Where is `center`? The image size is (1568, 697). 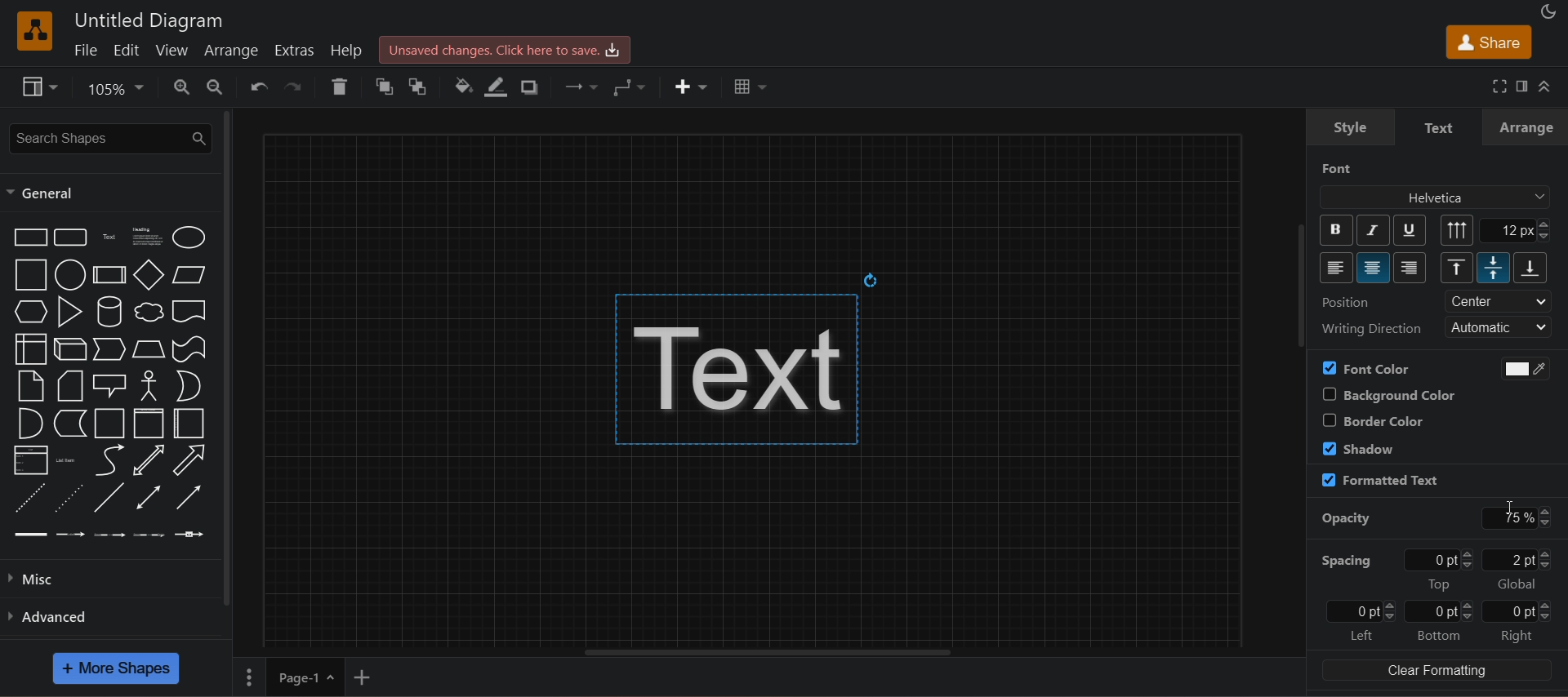
center is located at coordinates (1499, 301).